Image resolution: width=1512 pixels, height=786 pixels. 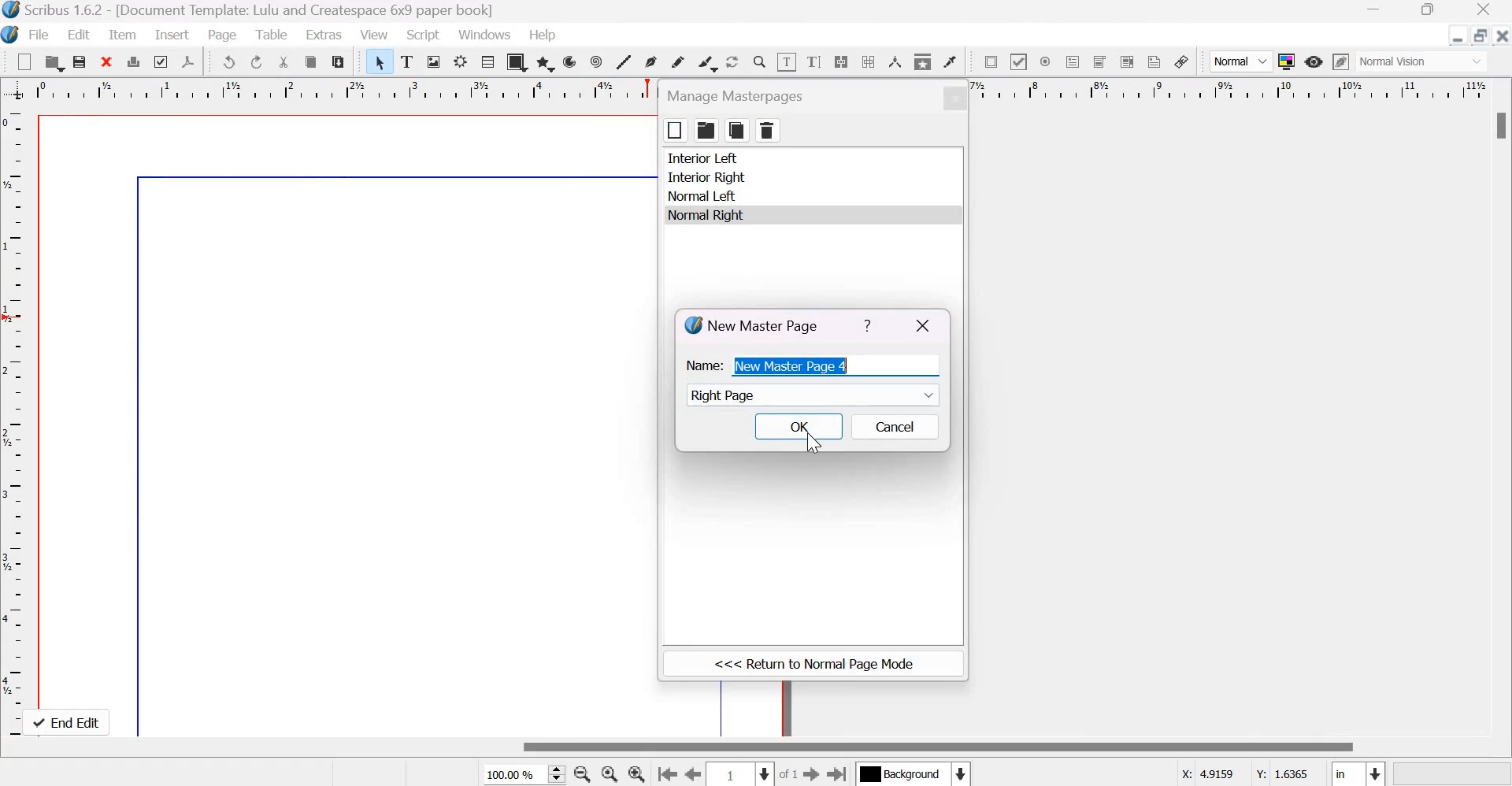 What do you see at coordinates (812, 774) in the screenshot?
I see `Go to the next page` at bounding box center [812, 774].